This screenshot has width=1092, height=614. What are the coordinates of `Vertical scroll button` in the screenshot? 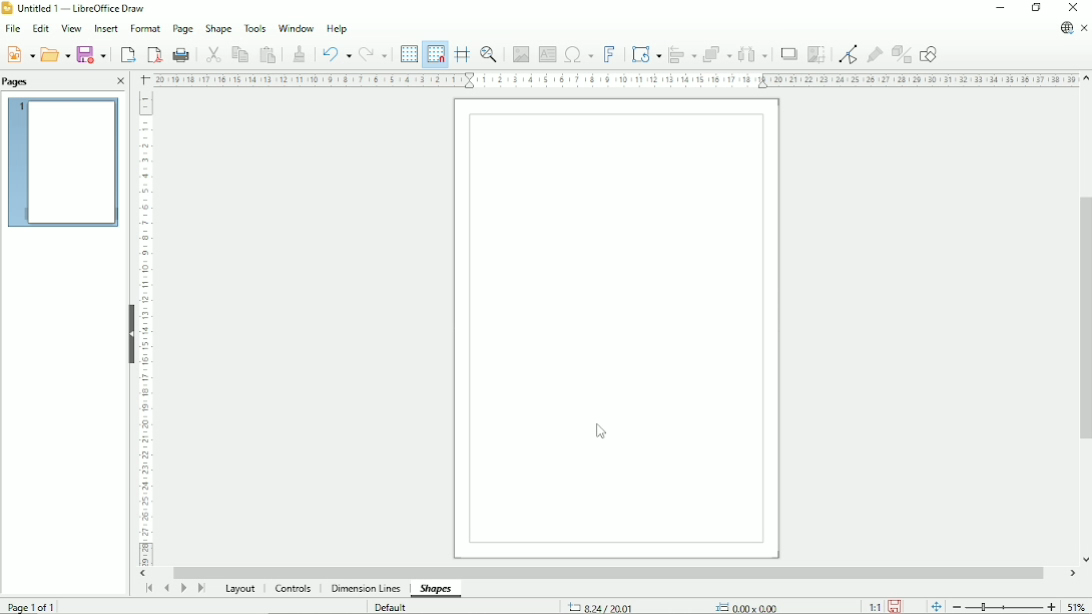 It's located at (1085, 79).